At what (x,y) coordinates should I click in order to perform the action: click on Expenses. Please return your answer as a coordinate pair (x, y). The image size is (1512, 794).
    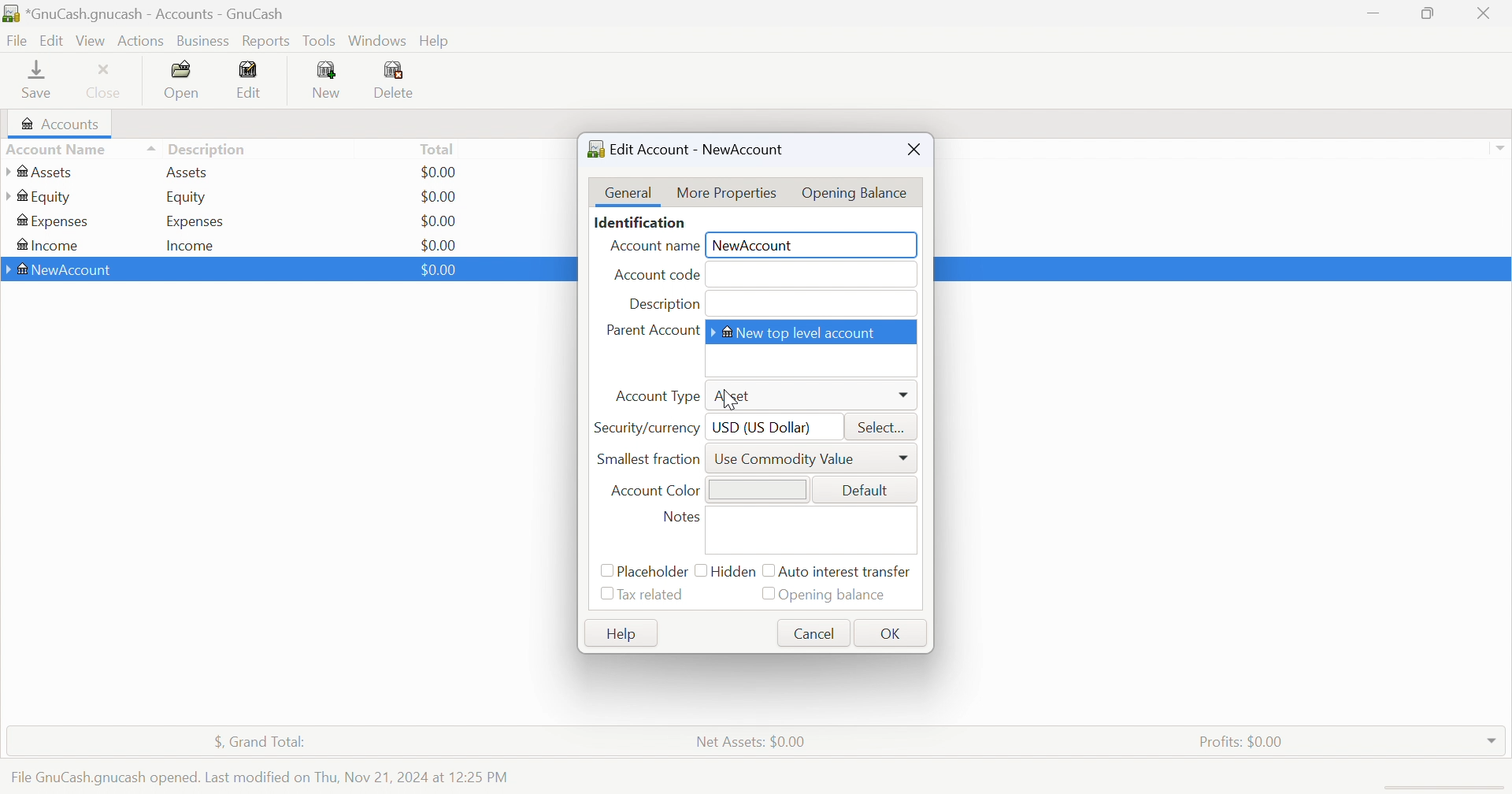
    Looking at the image, I should click on (195, 222).